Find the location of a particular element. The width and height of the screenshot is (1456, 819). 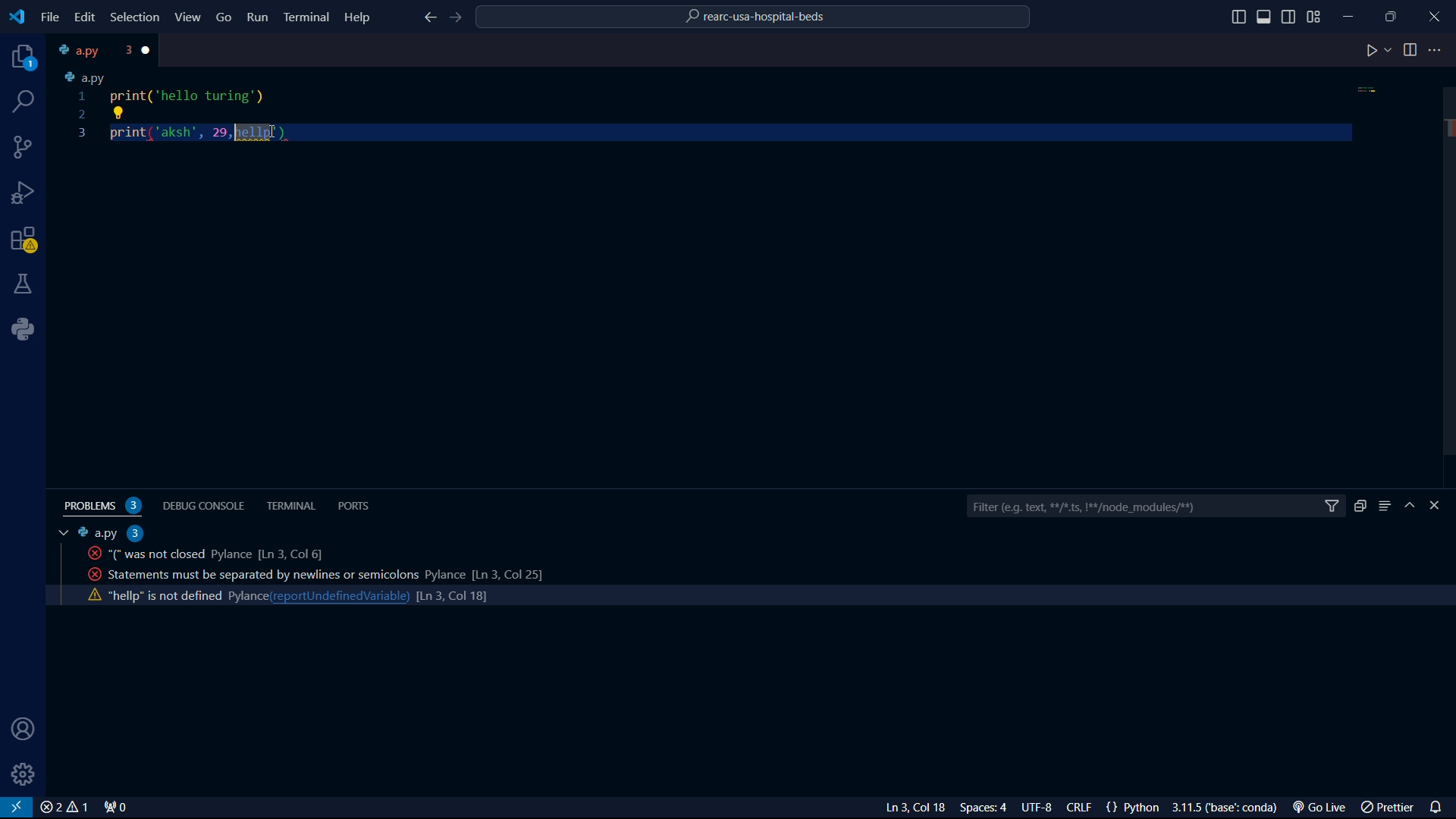

toggle is located at coordinates (1410, 50).